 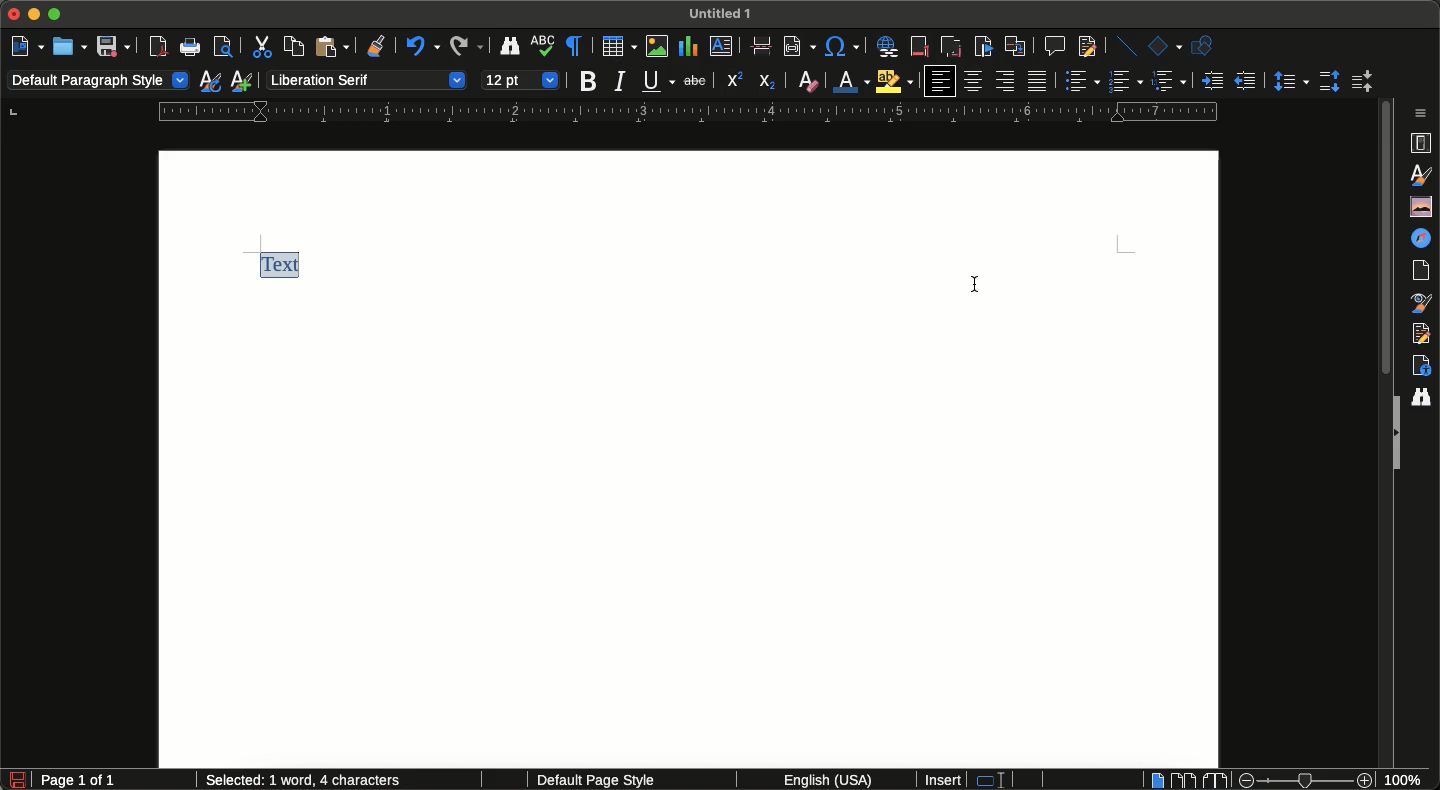 I want to click on Copy, so click(x=291, y=46).